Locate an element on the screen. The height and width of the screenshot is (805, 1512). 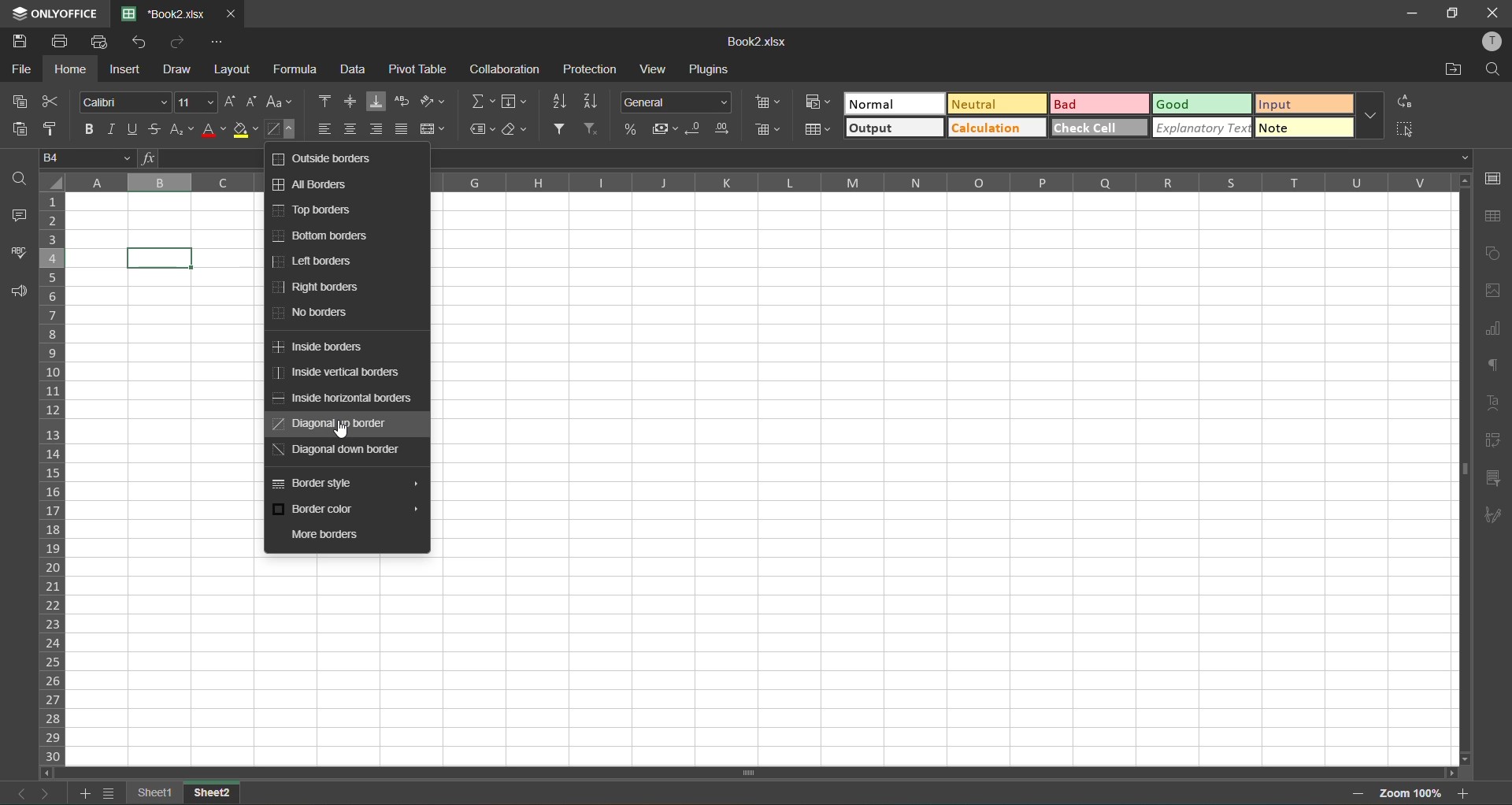
signature is located at coordinates (1493, 517).